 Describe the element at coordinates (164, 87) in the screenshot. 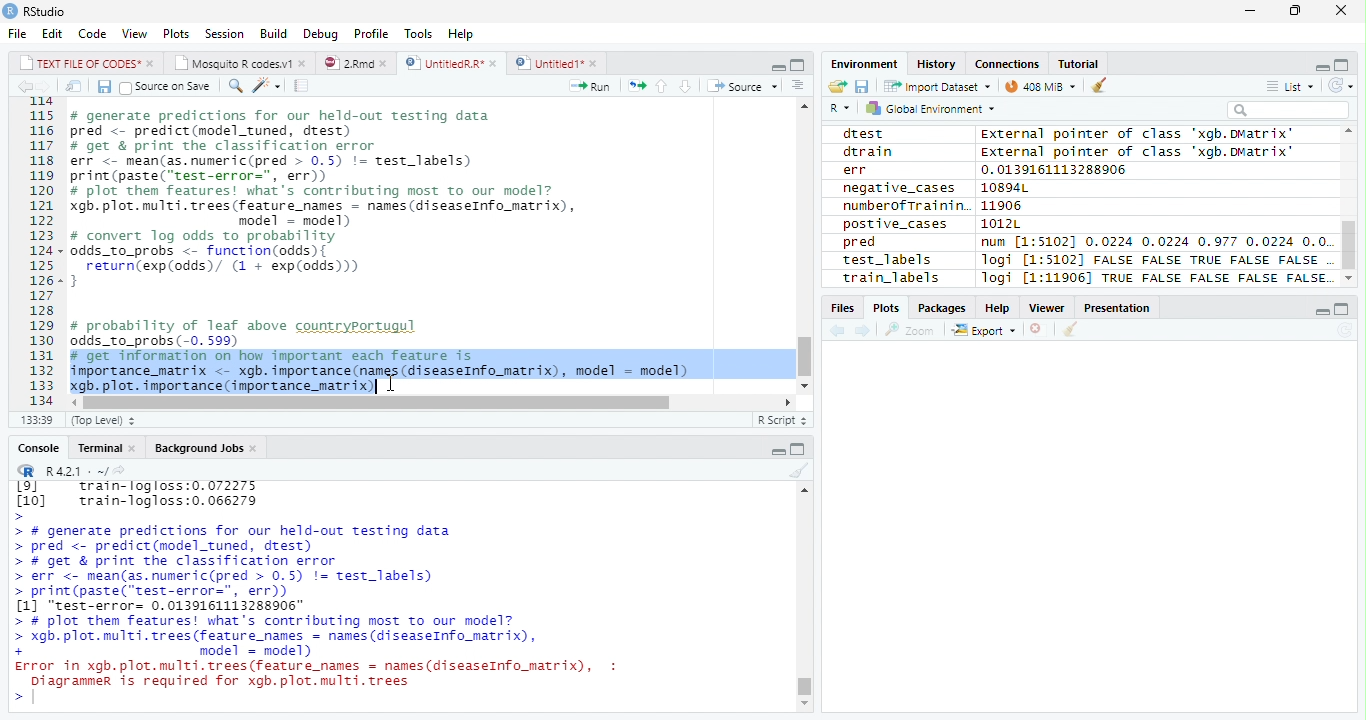

I see `Source on Save` at that location.